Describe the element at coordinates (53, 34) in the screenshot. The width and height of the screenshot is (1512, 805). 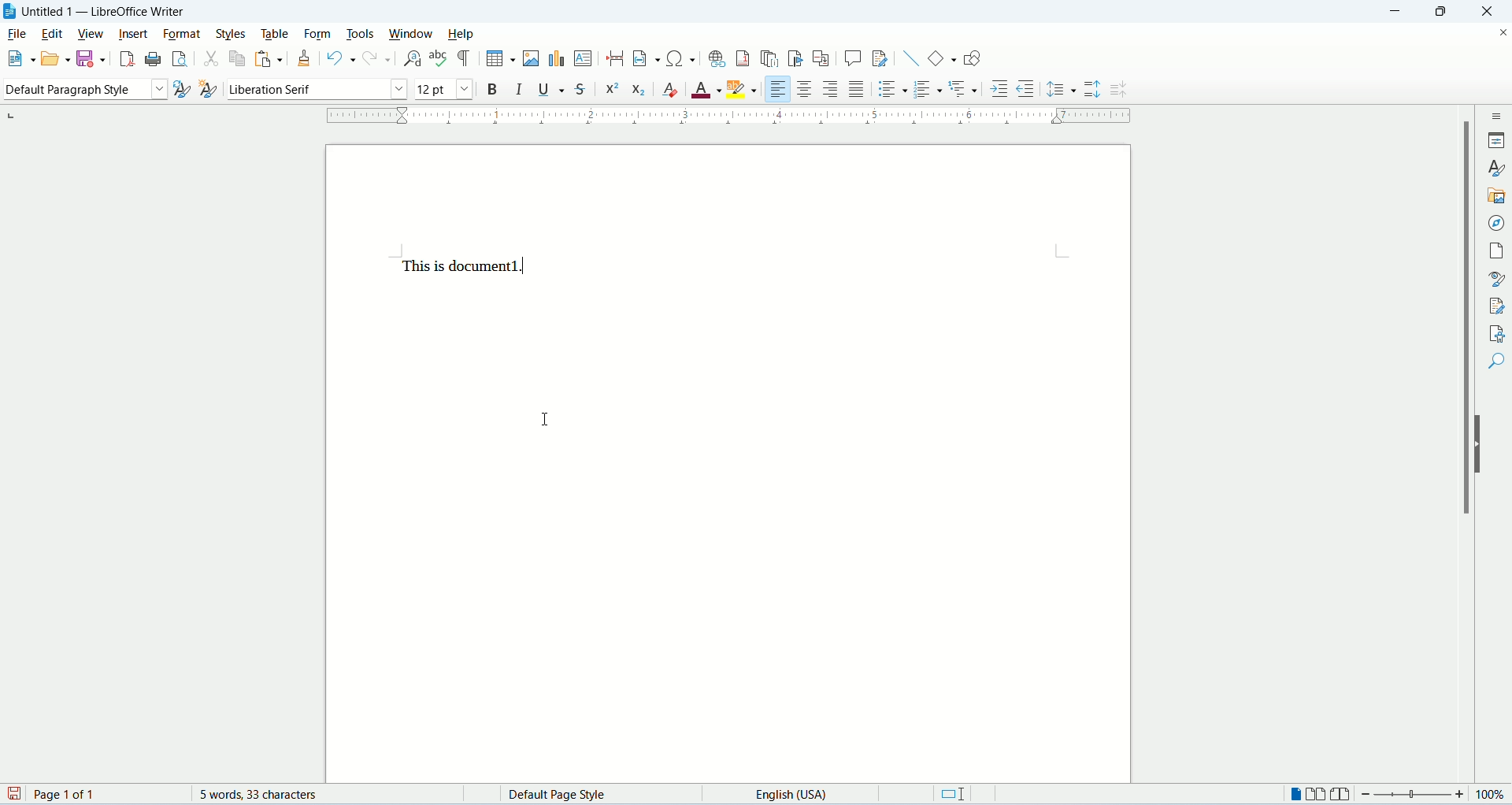
I see `edir` at that location.